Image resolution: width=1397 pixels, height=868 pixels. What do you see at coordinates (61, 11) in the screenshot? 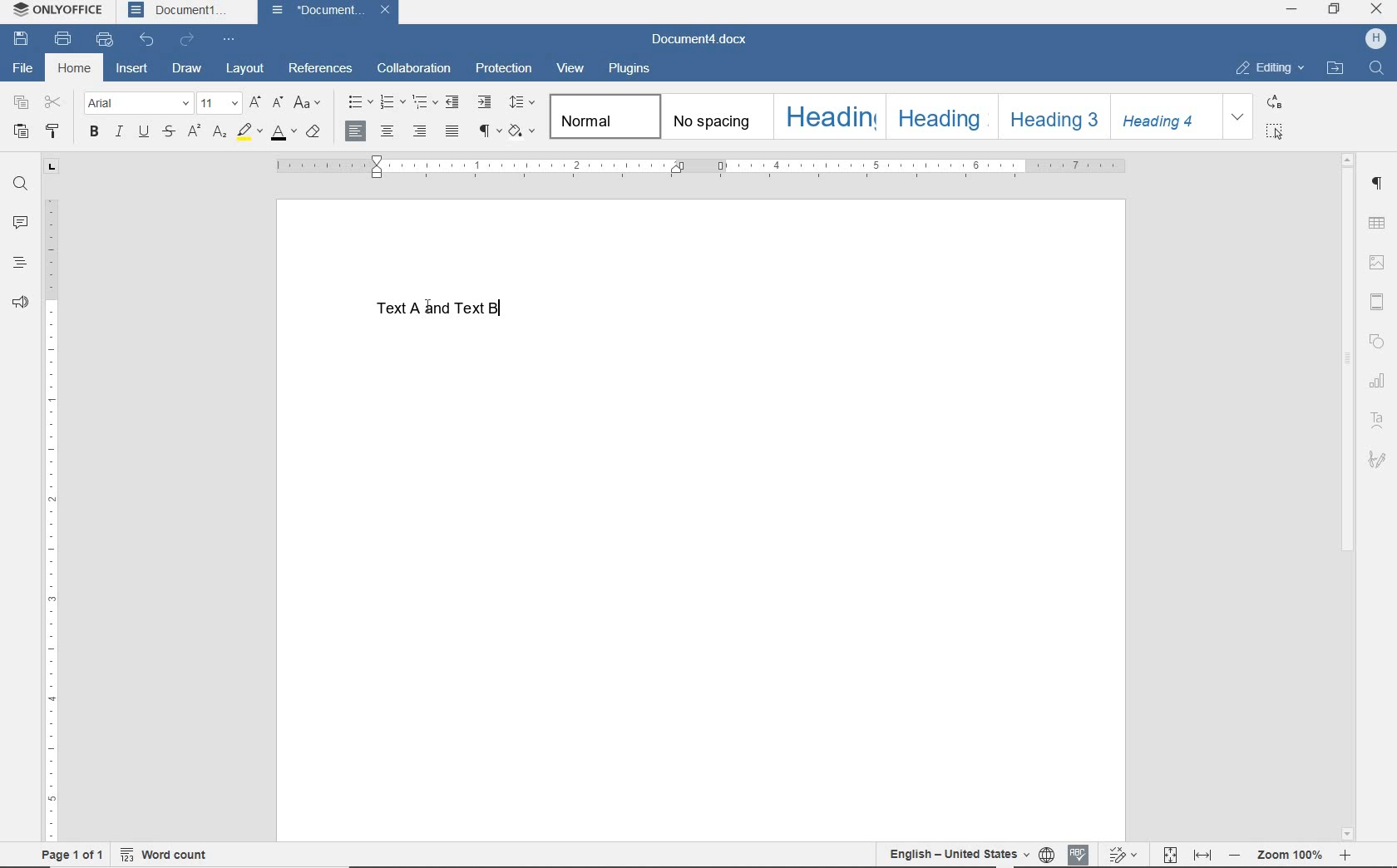
I see `SYSTEM NAME` at bounding box center [61, 11].